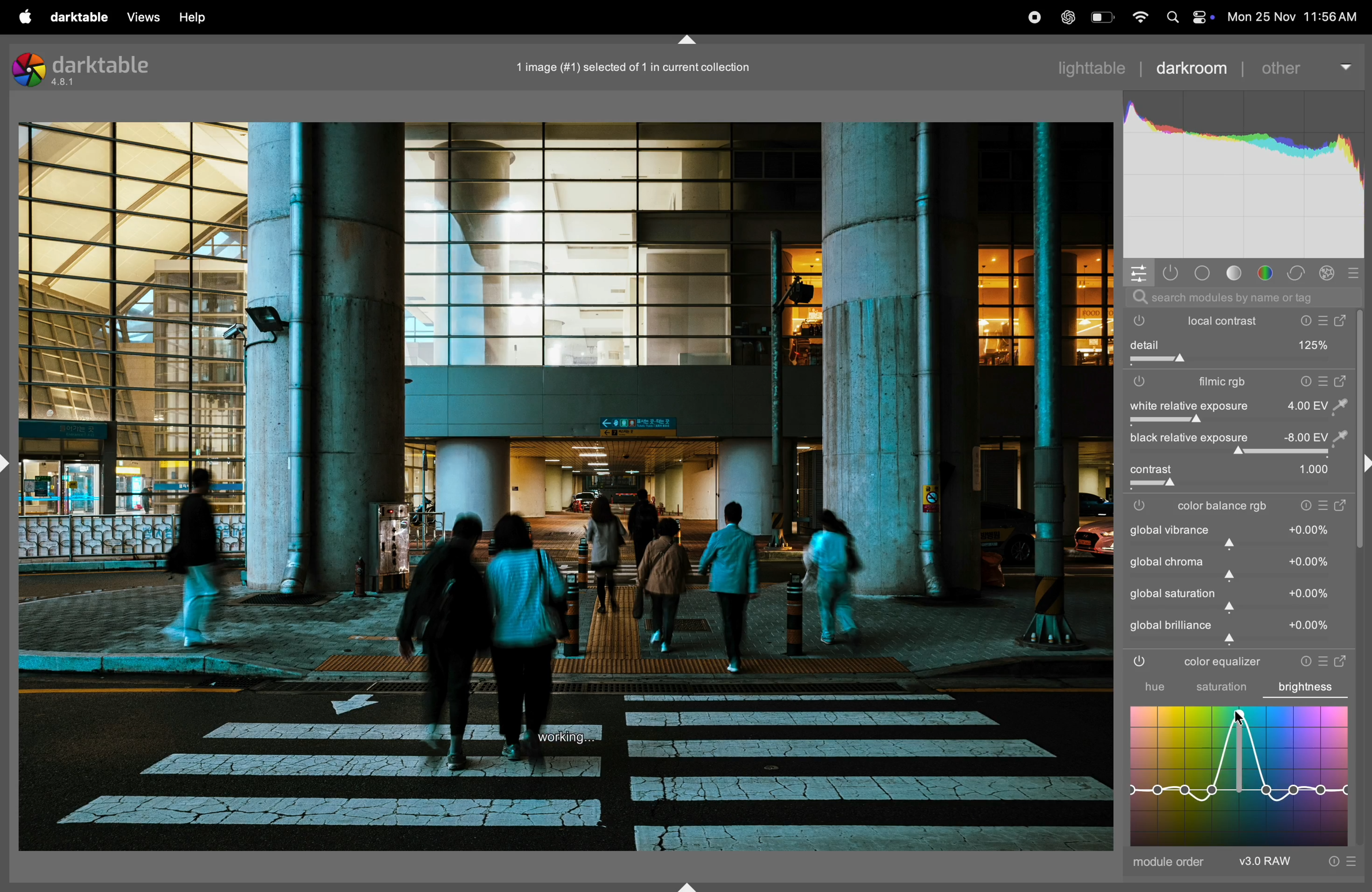  Describe the element at coordinates (1311, 685) in the screenshot. I see `brightness` at that location.